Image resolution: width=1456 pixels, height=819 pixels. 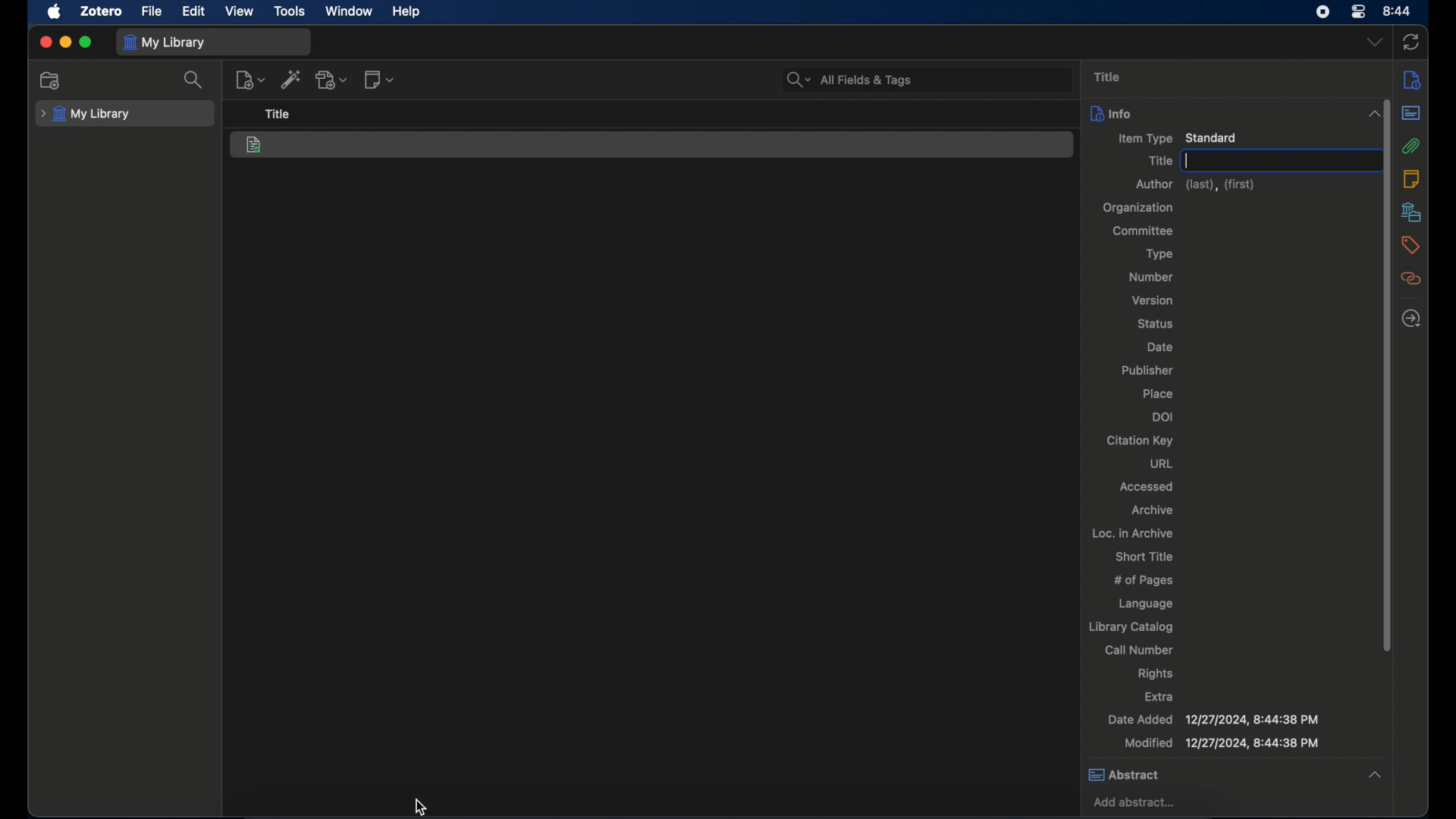 What do you see at coordinates (798, 80) in the screenshot?
I see `search dropdown` at bounding box center [798, 80].